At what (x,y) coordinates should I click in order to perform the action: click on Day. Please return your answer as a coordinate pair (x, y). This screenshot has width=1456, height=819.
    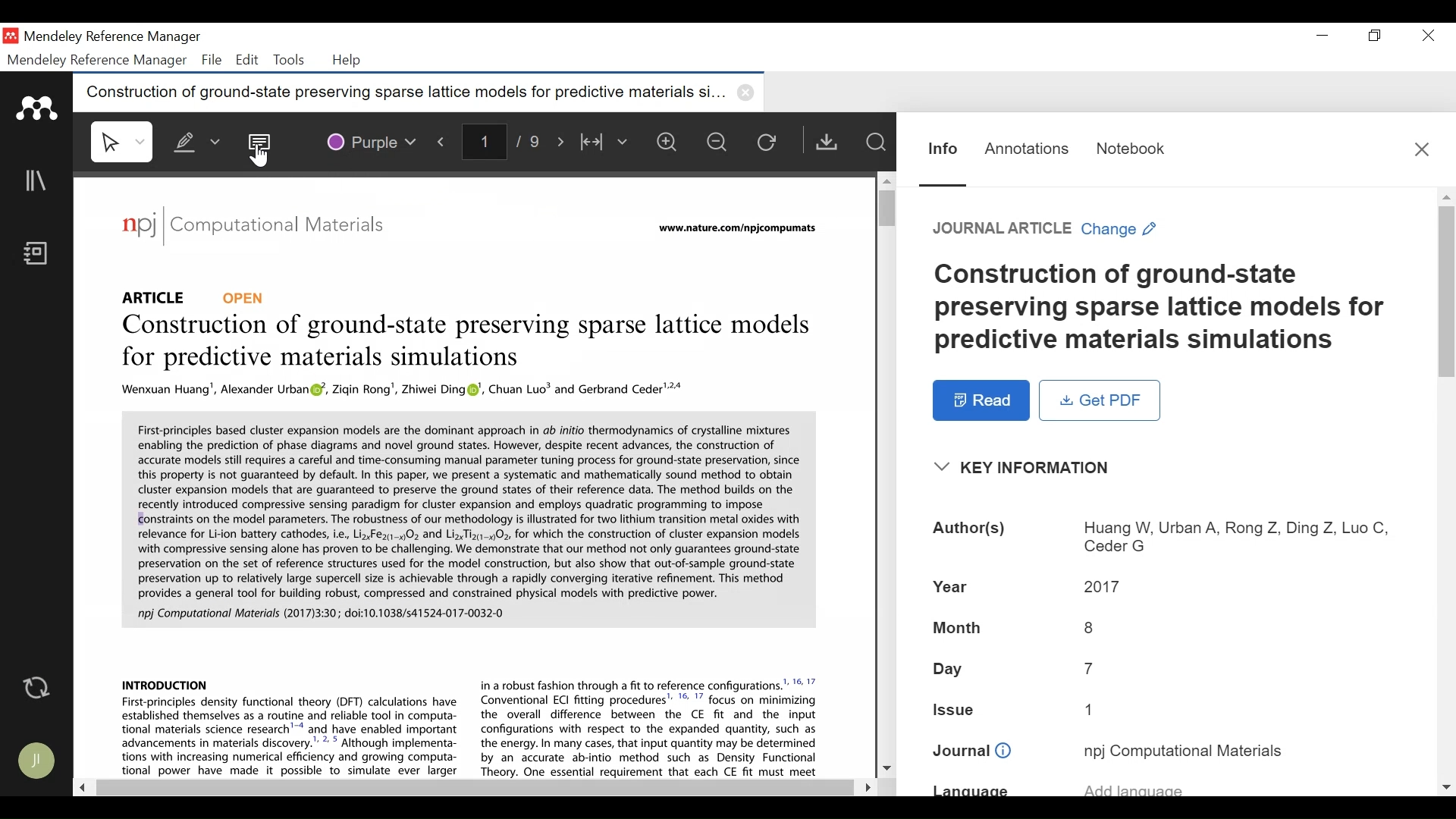
    Looking at the image, I should click on (1166, 671).